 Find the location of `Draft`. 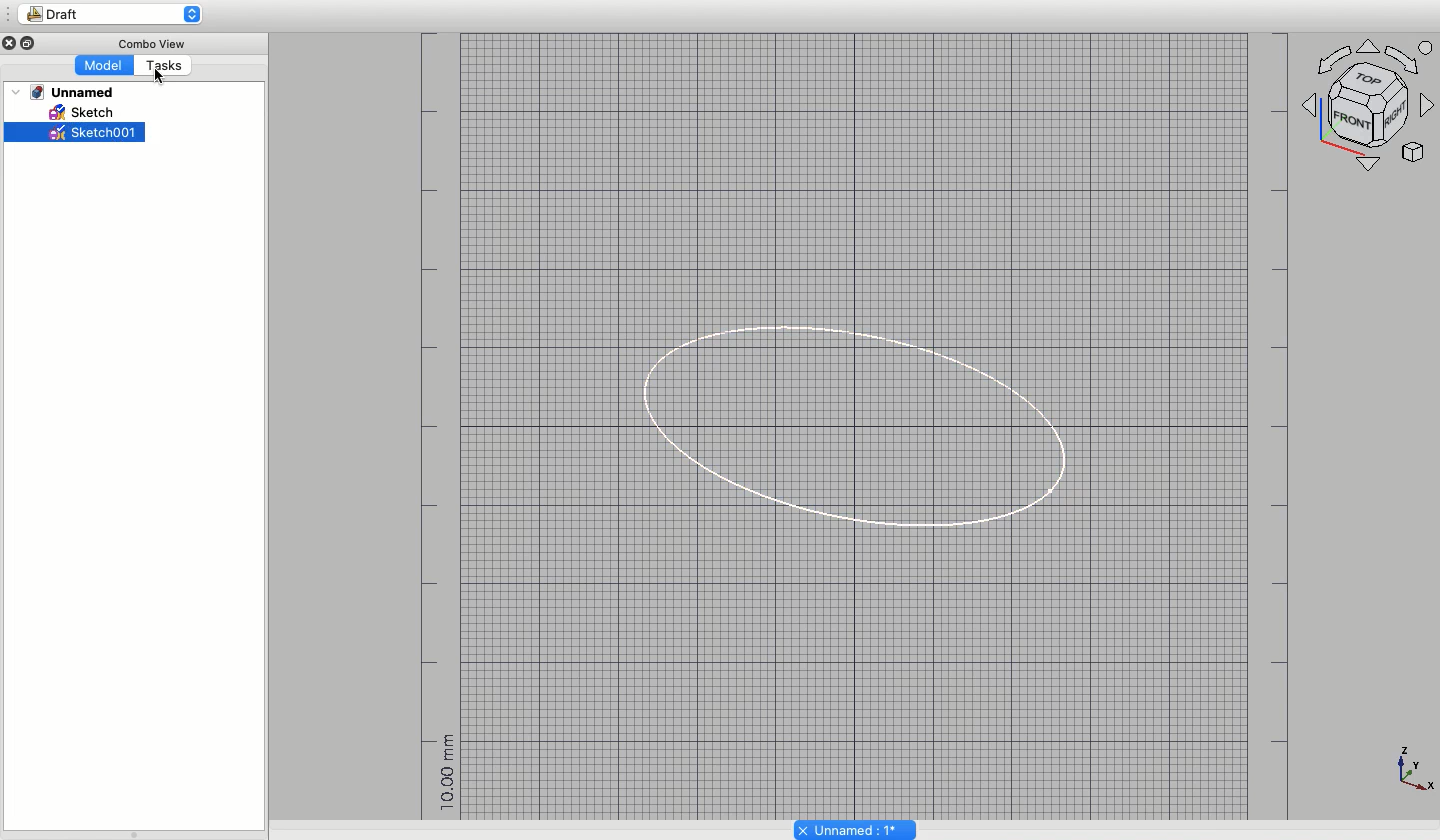

Draft is located at coordinates (120, 15).